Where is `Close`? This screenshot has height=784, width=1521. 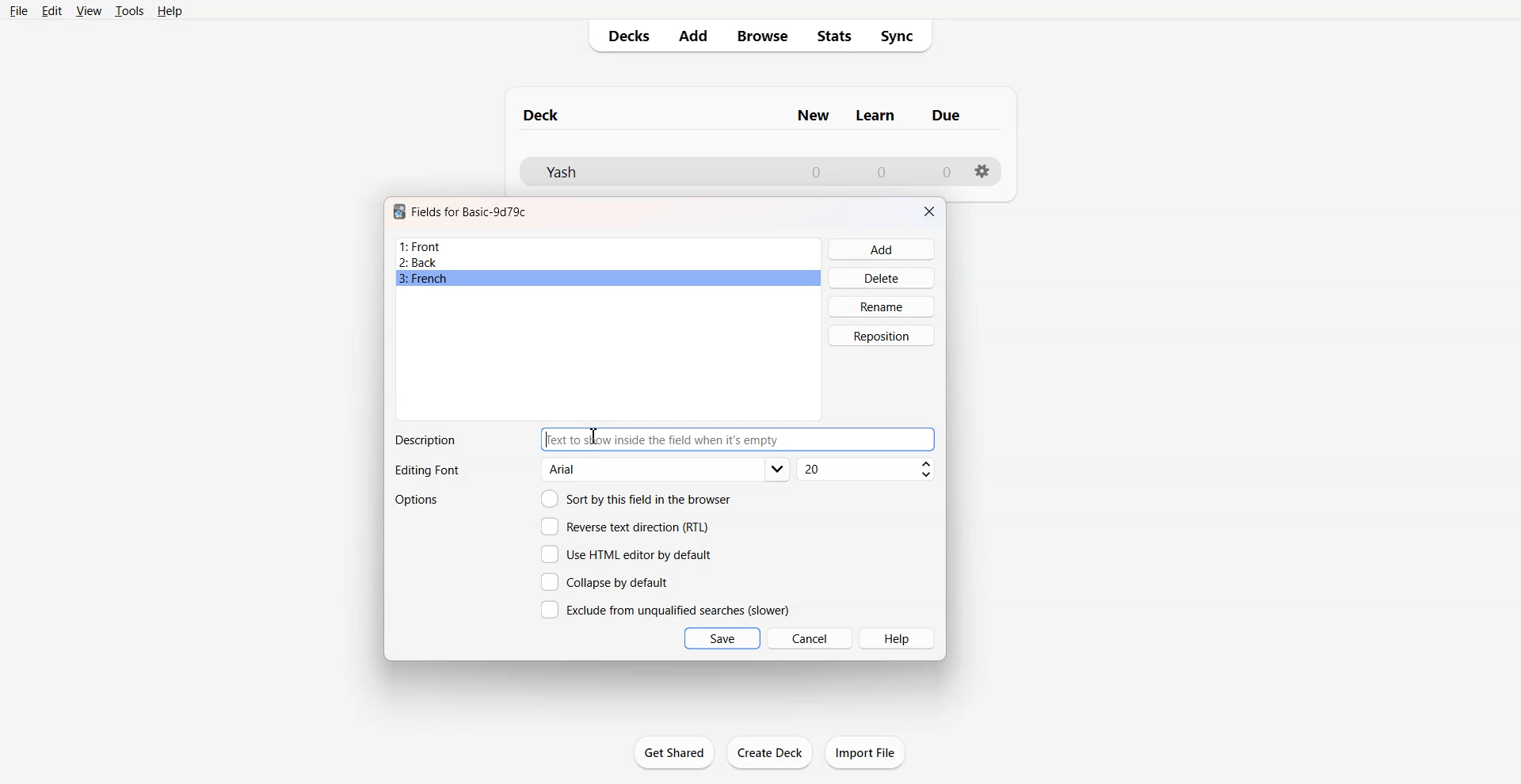 Close is located at coordinates (929, 211).